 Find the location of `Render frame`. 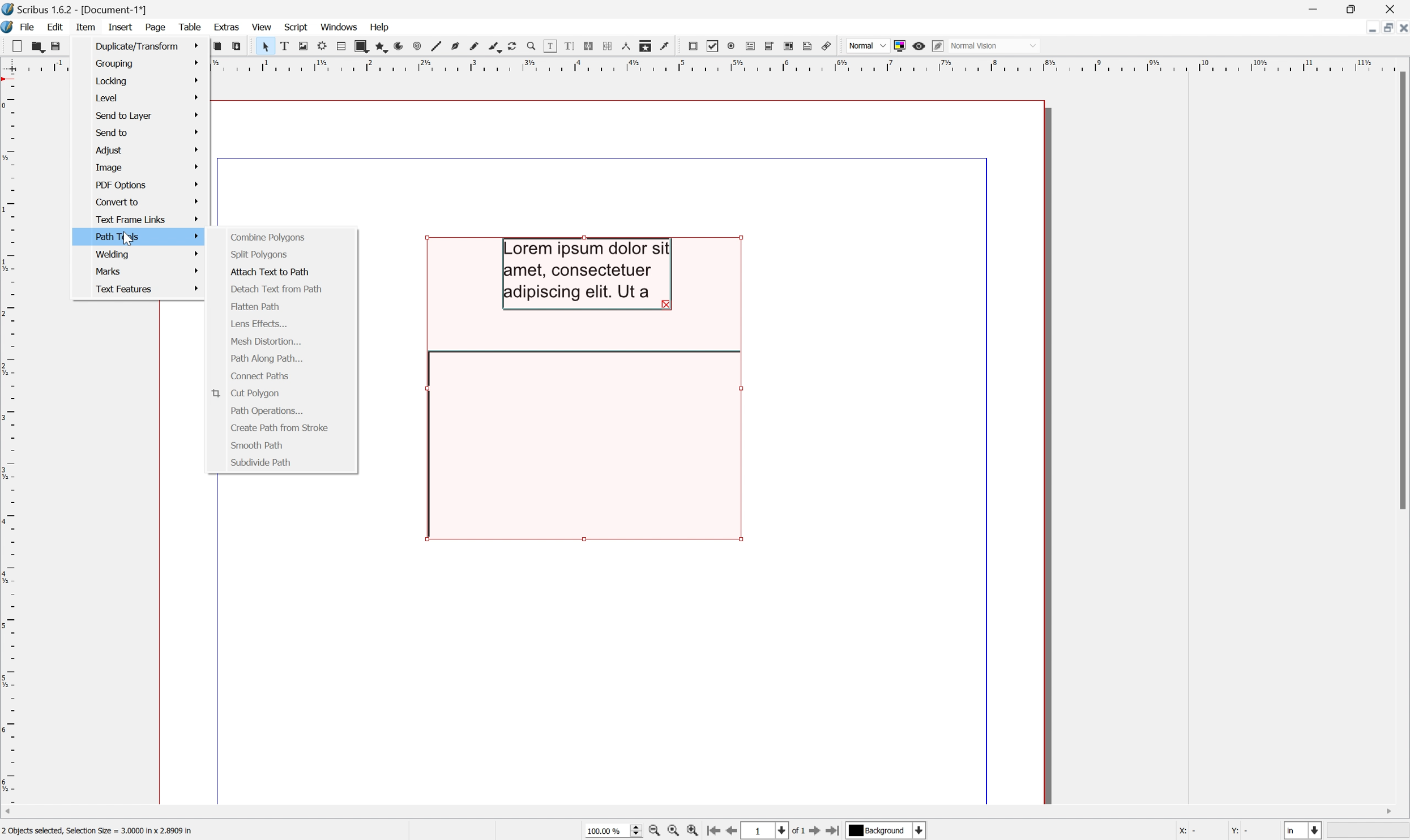

Render frame is located at coordinates (320, 48).